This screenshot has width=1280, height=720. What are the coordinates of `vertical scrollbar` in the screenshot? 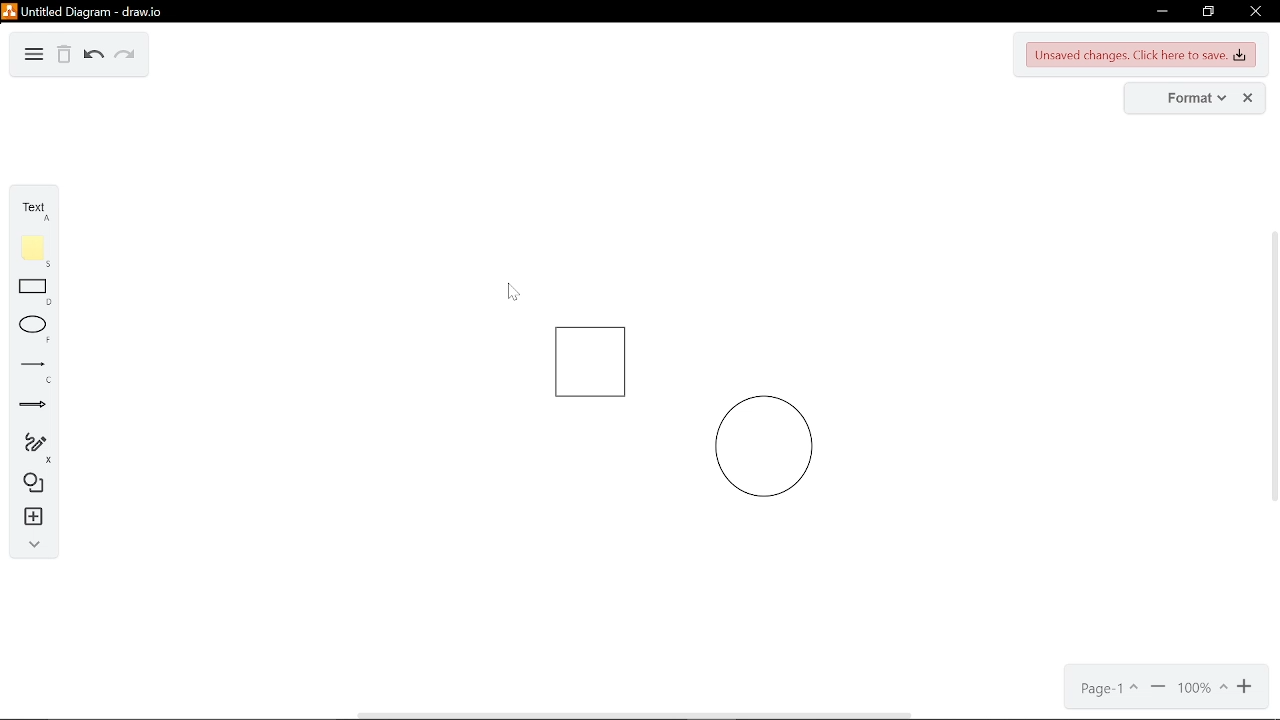 It's located at (1272, 364).